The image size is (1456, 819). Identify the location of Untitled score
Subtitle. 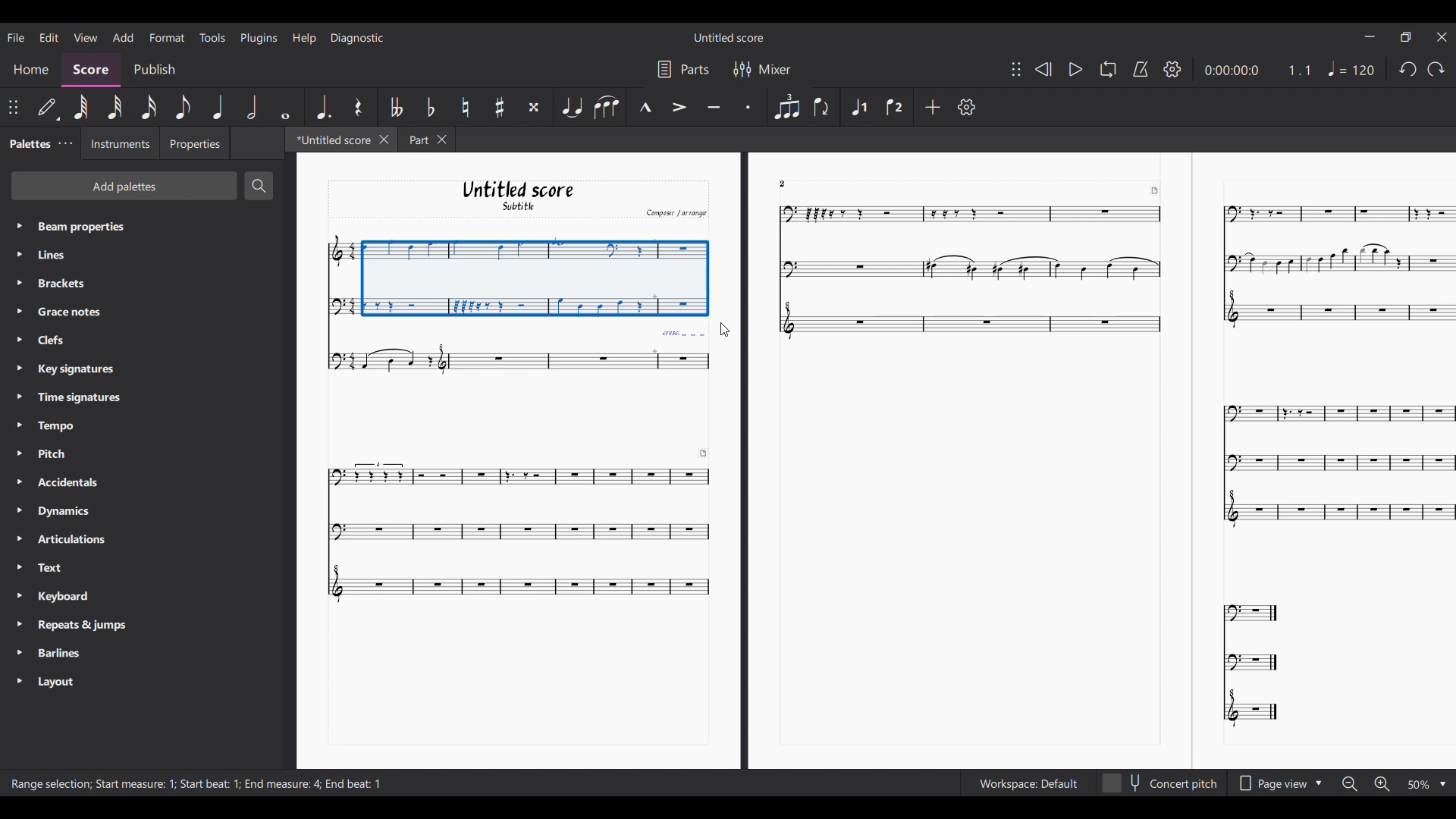
(516, 196).